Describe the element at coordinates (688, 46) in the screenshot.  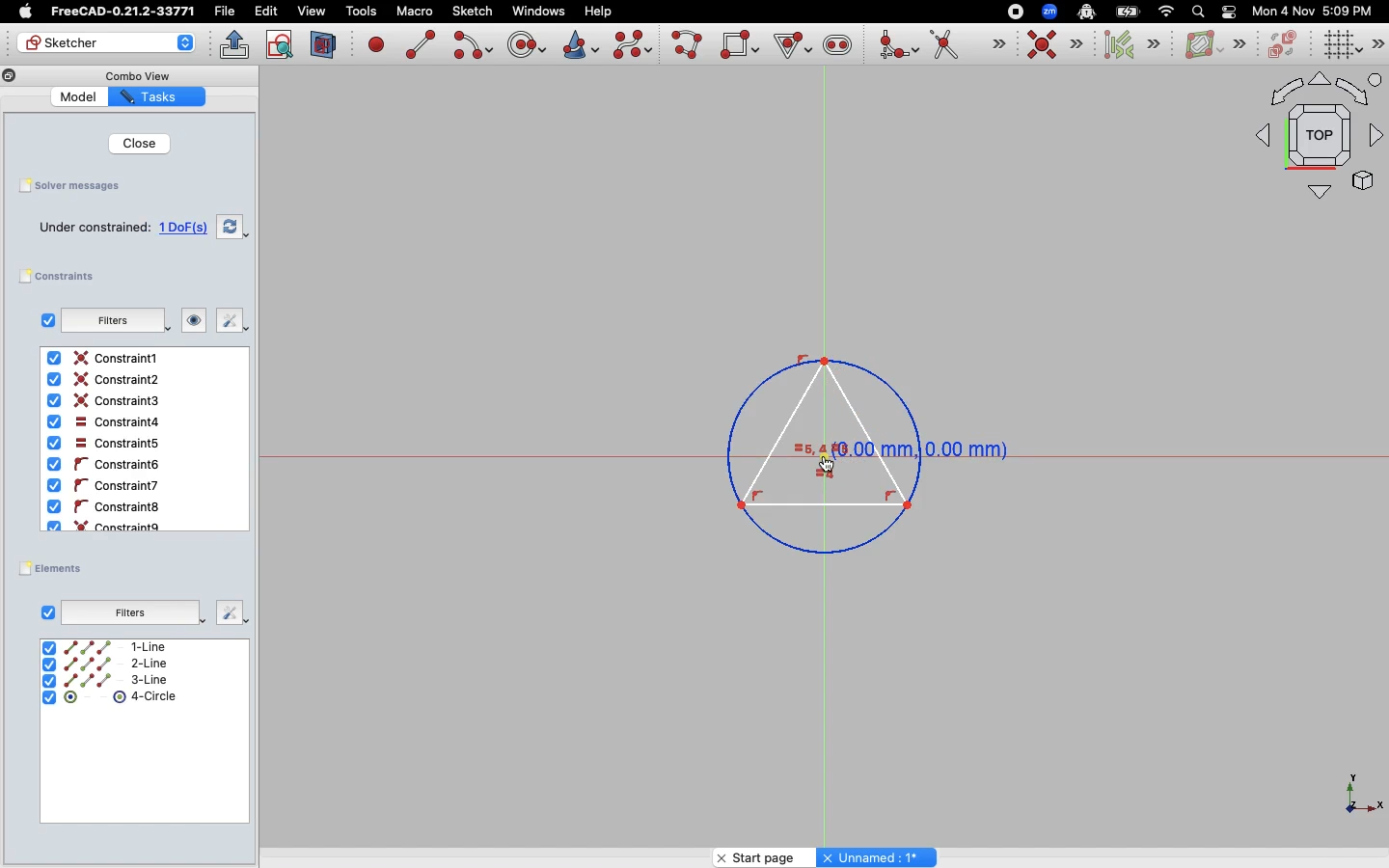
I see `Create poly line` at that location.